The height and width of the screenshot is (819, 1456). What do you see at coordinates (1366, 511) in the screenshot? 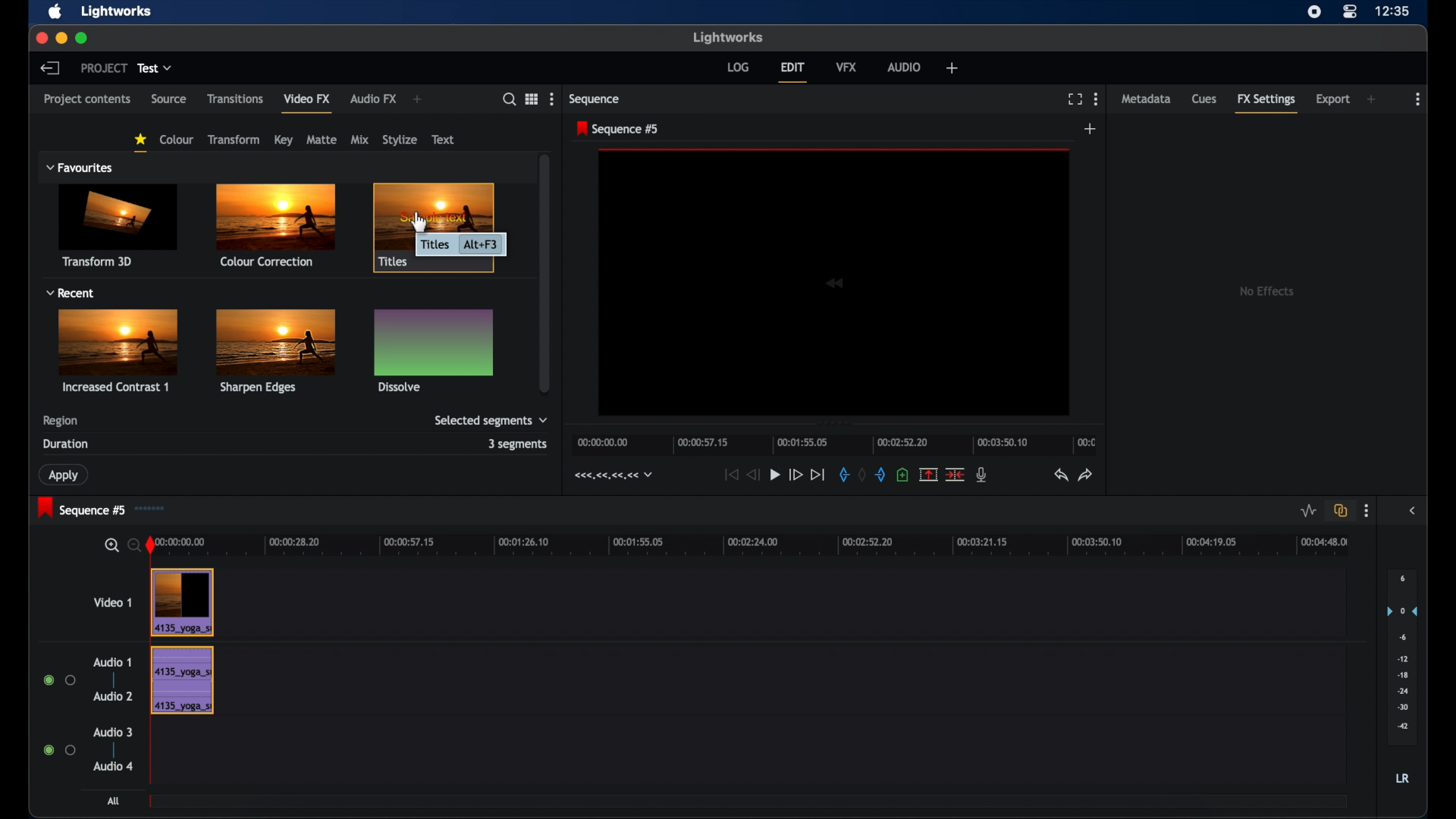
I see `more options` at bounding box center [1366, 511].